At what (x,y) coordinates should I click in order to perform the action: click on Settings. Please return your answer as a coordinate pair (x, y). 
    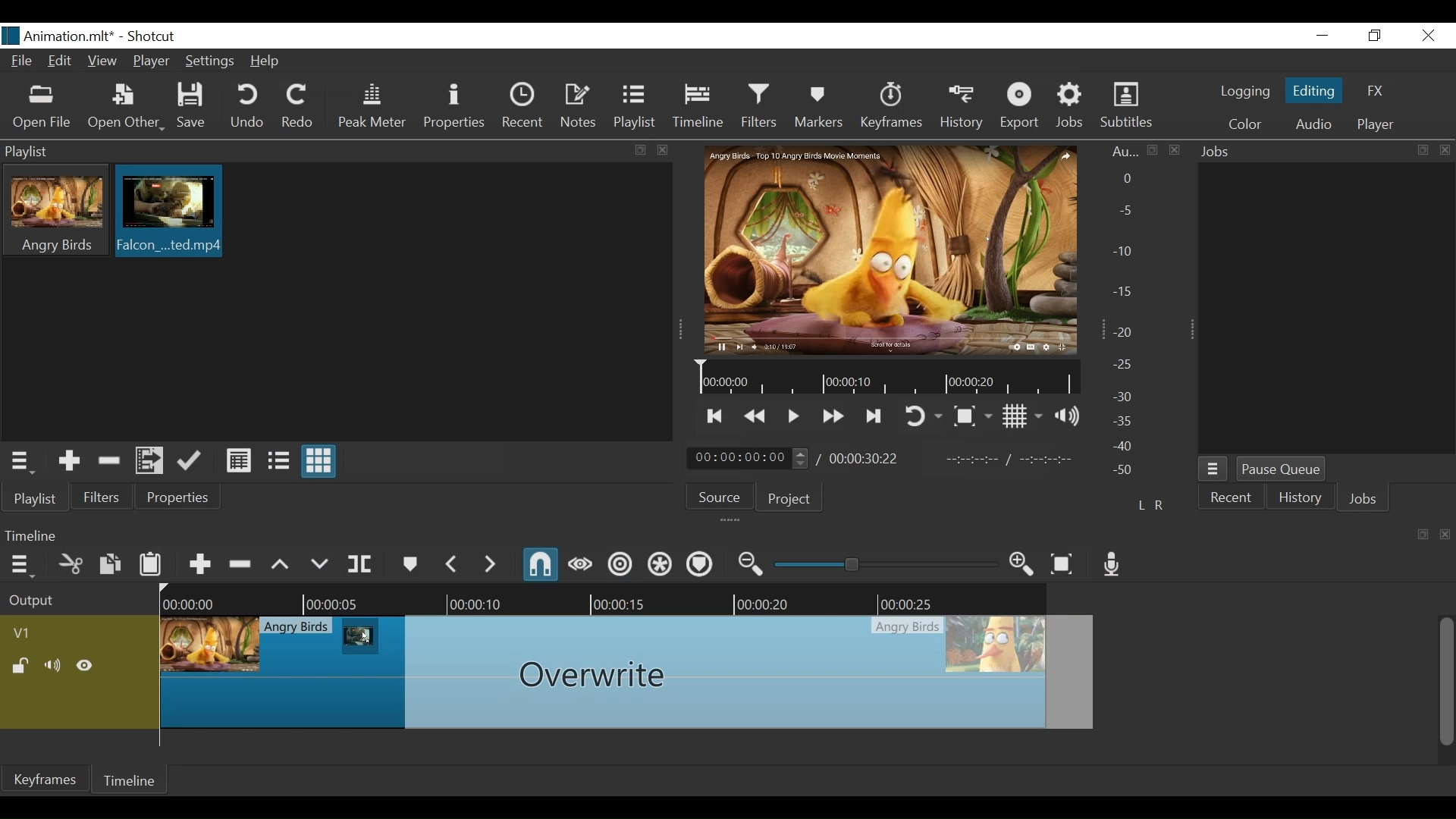
    Looking at the image, I should click on (209, 60).